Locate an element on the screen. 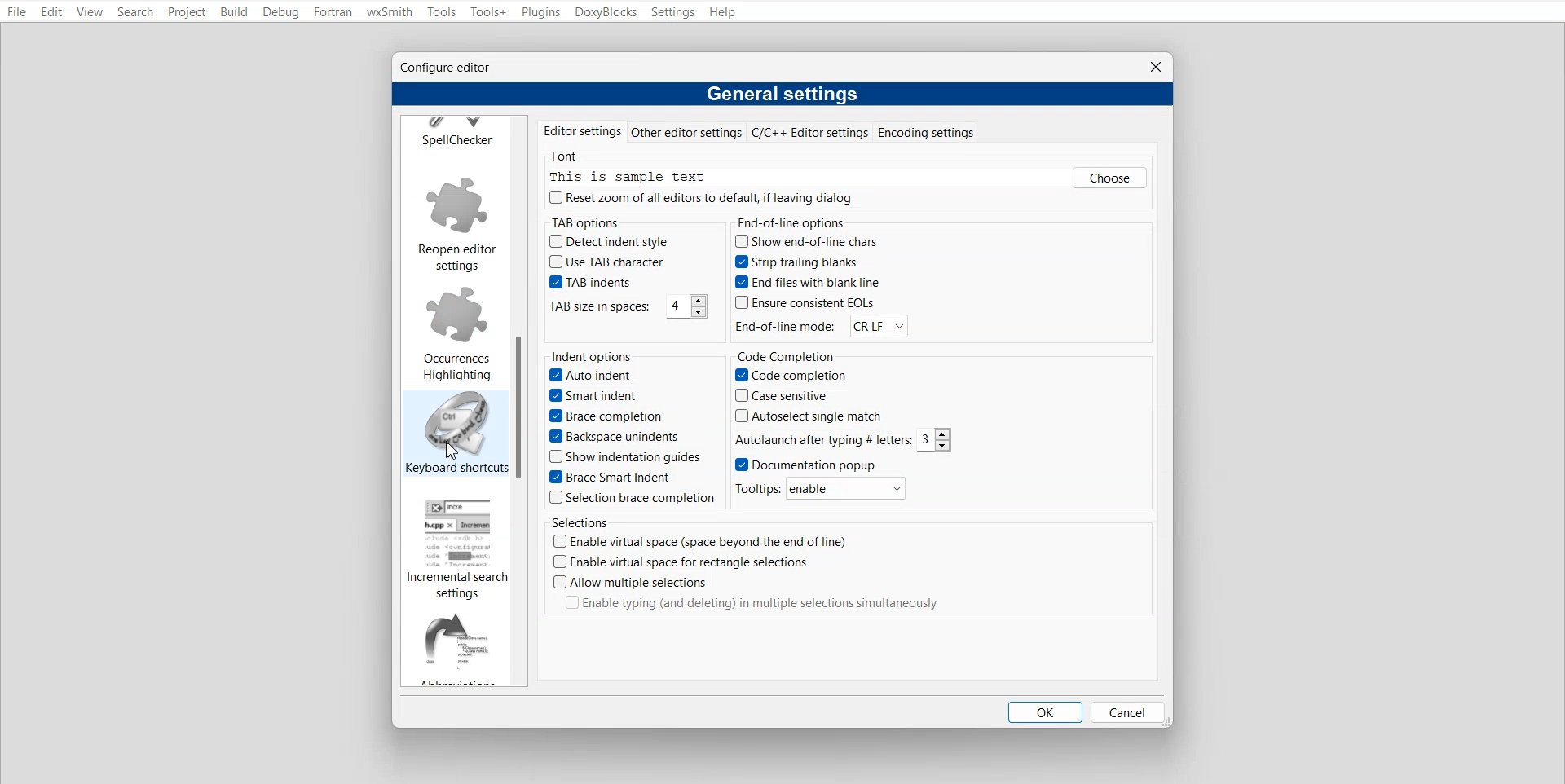 This screenshot has height=784, width=1565. Reopen editor settings is located at coordinates (456, 222).